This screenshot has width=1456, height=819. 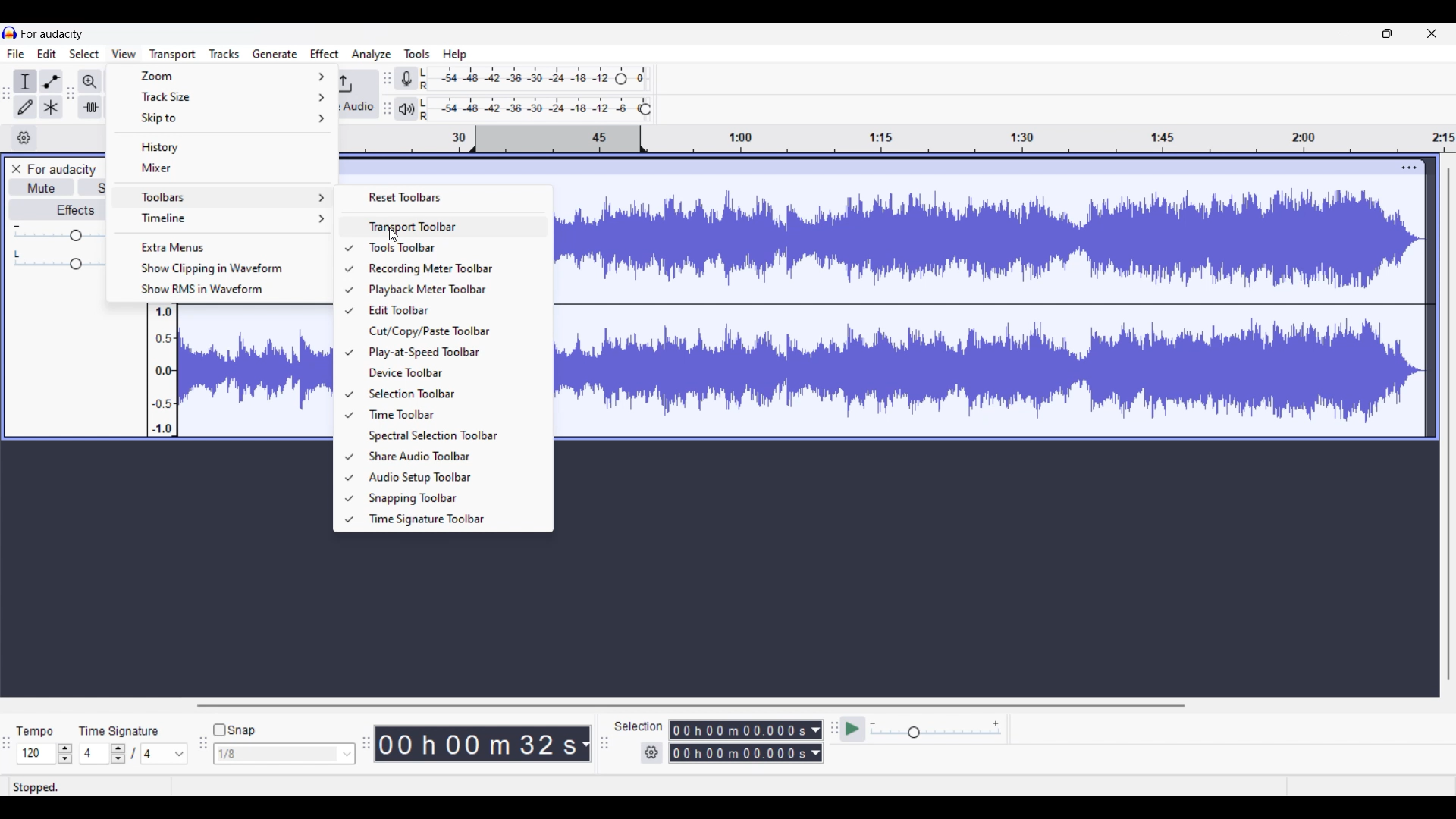 I want to click on Edit toolbar, so click(x=450, y=310).